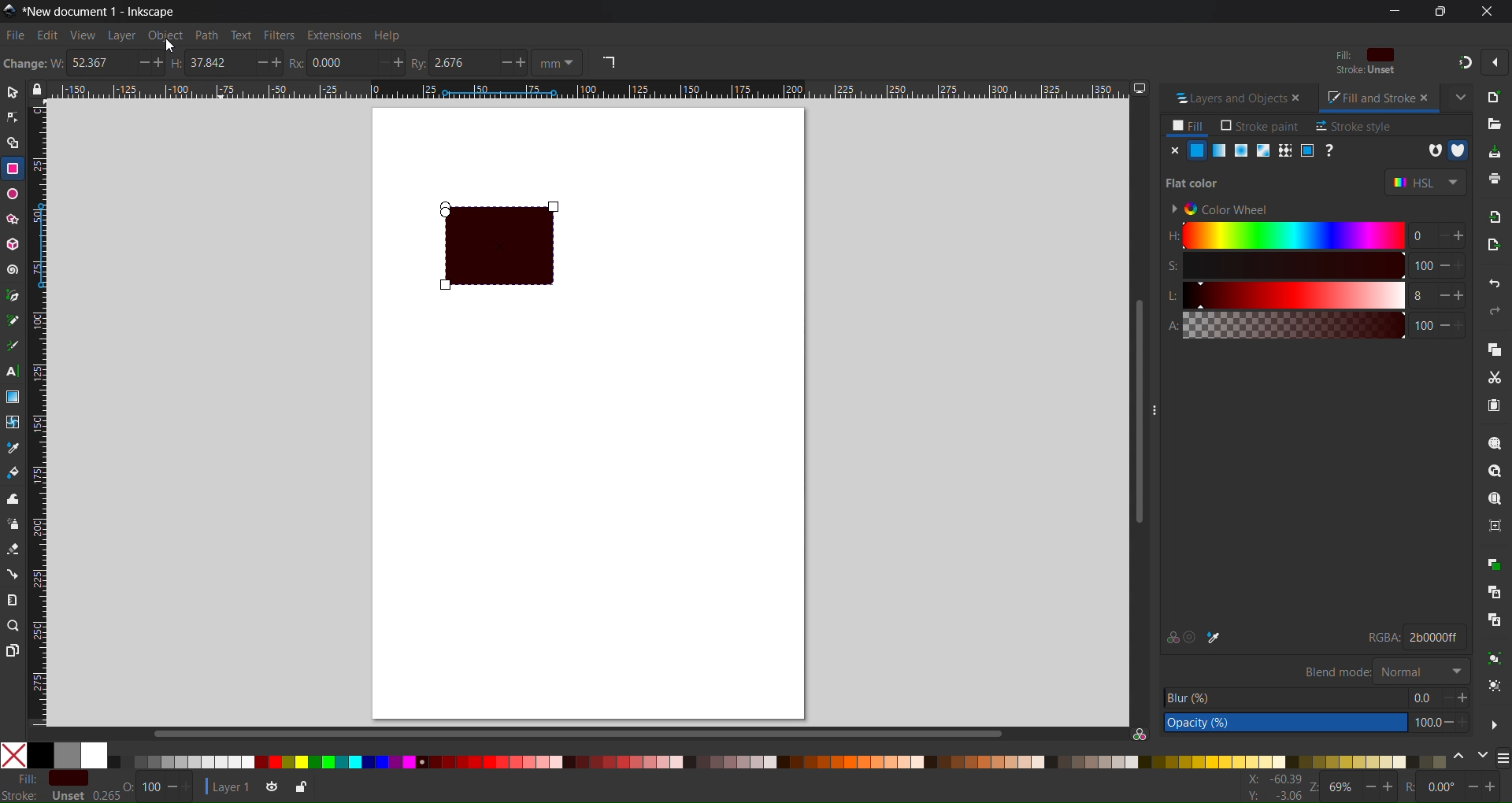 The height and width of the screenshot is (803, 1512). Describe the element at coordinates (20, 795) in the screenshot. I see `stroke` at that location.